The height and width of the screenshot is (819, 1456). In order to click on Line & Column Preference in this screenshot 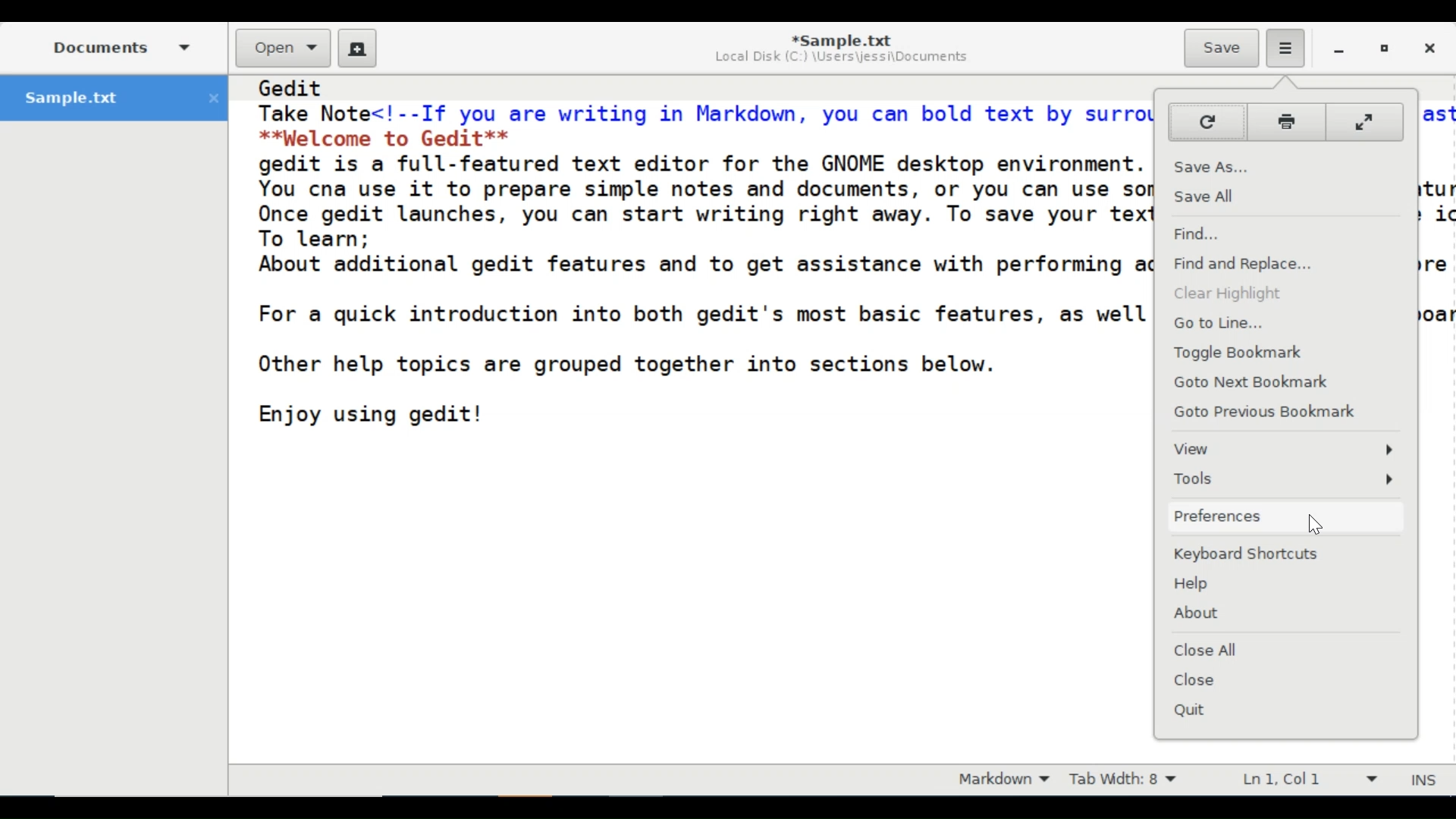, I will do `click(1305, 778)`.